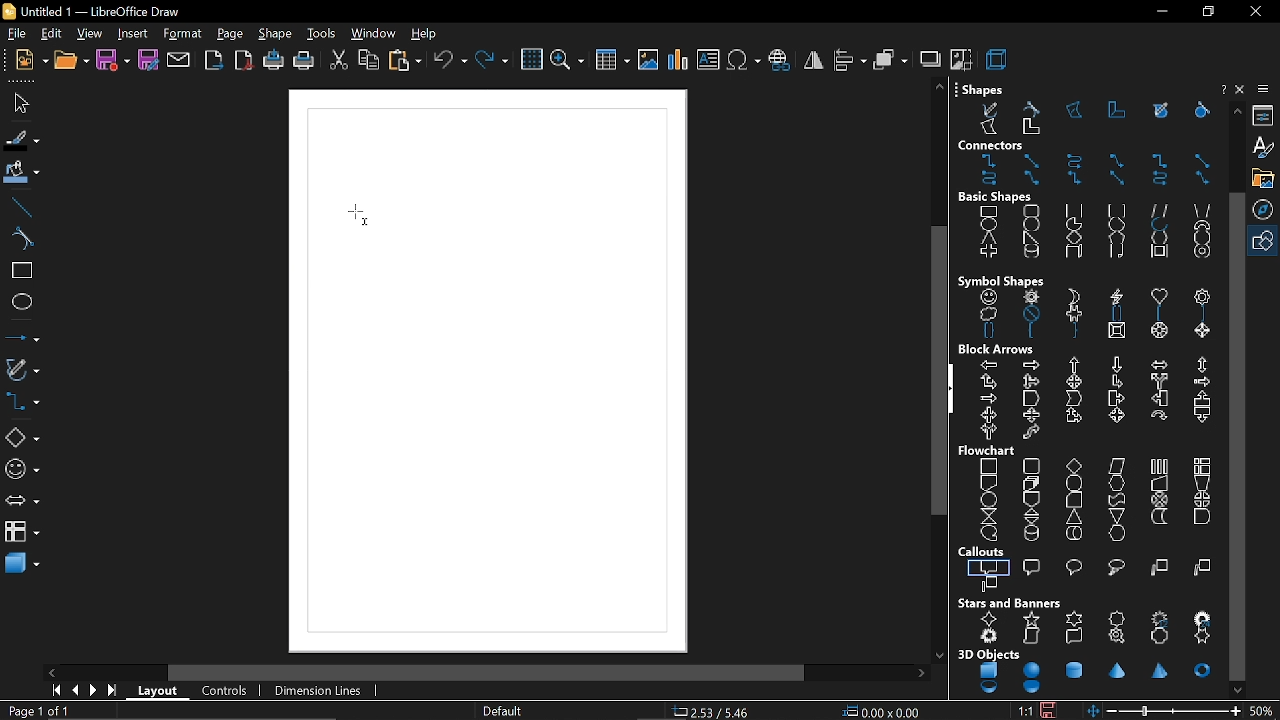  I want to click on explosion, so click(990, 637).